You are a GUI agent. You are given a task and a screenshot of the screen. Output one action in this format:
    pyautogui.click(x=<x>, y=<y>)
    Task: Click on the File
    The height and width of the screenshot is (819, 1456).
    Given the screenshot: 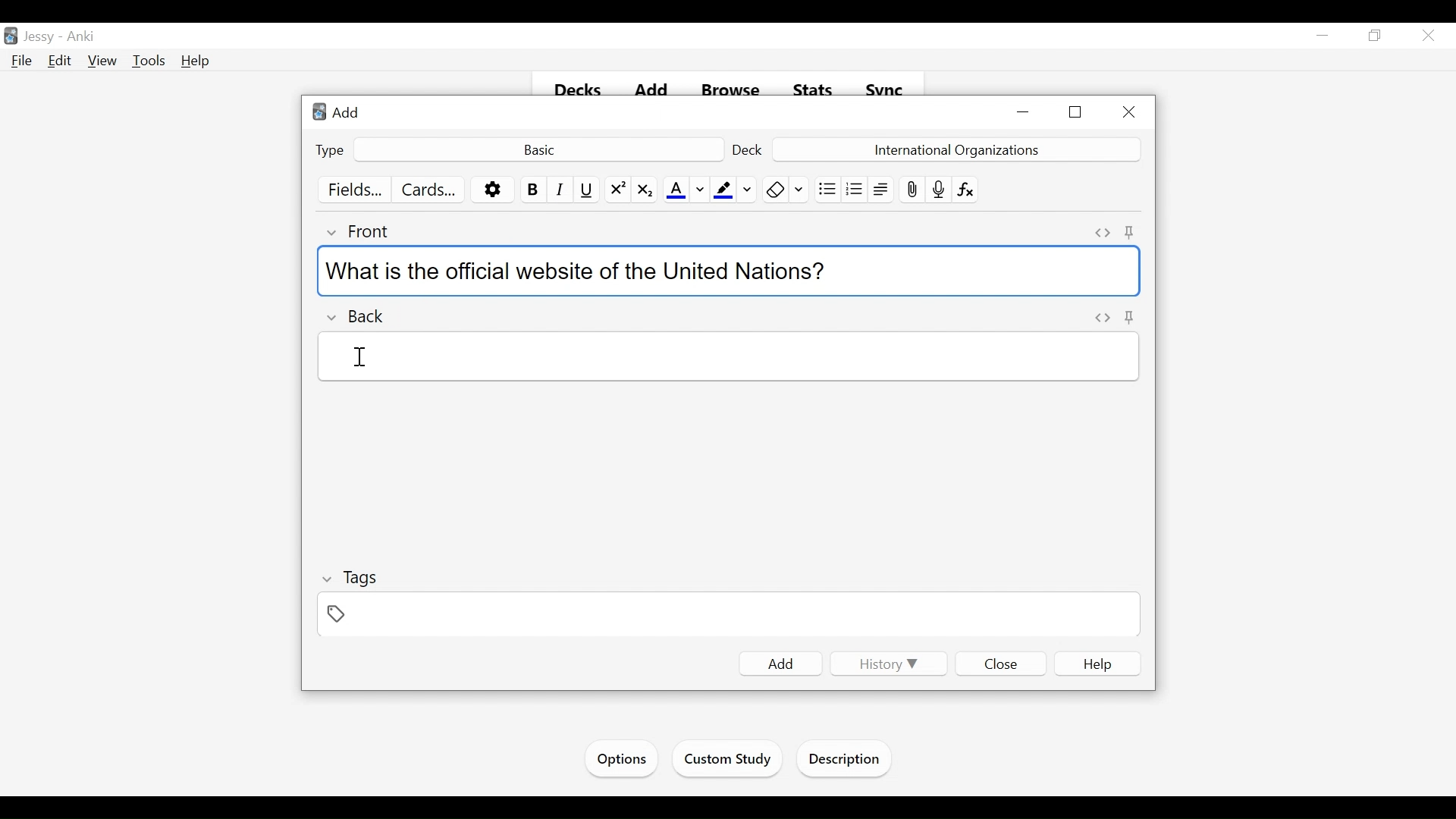 What is the action you would take?
    pyautogui.click(x=22, y=61)
    